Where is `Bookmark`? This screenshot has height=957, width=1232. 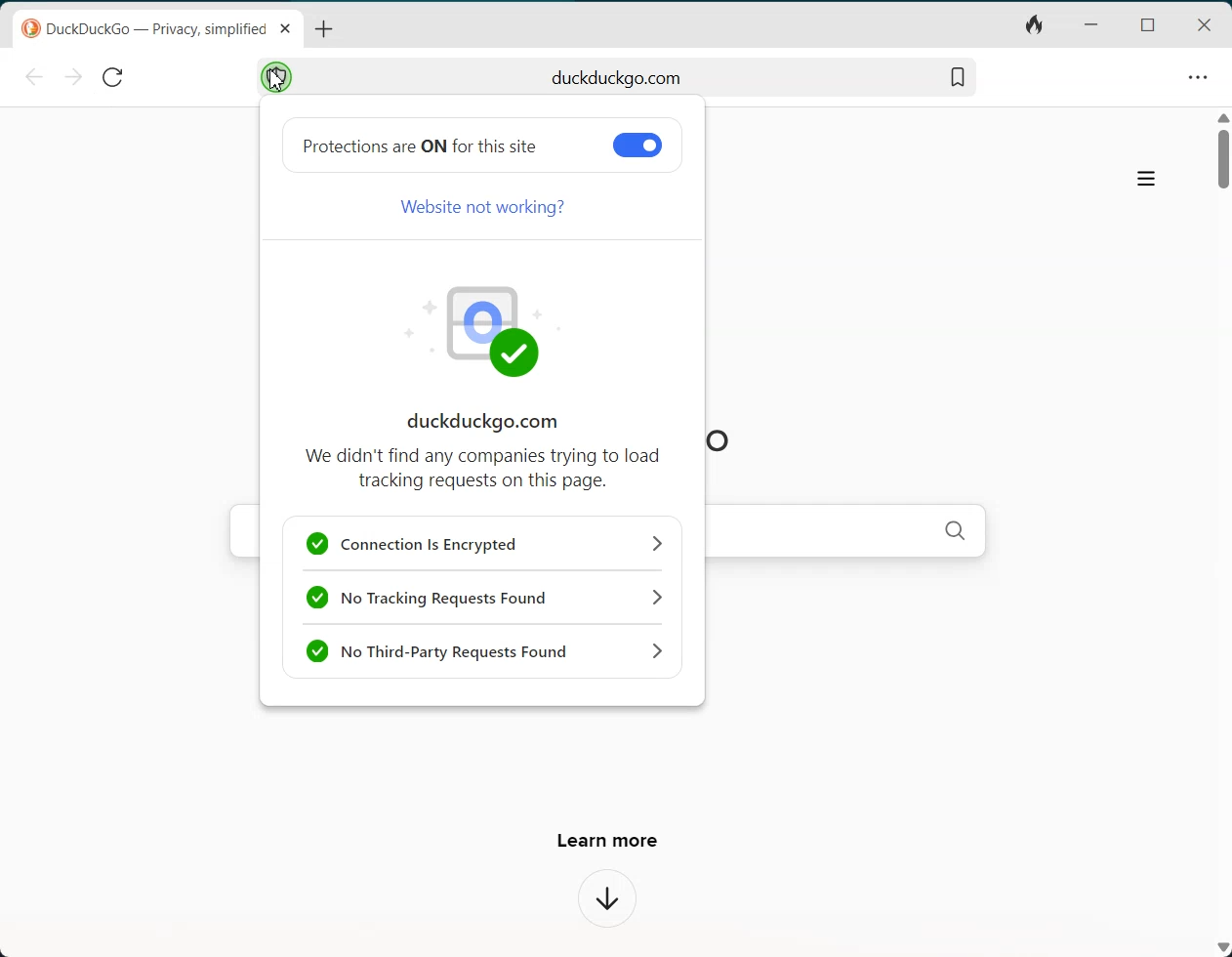
Bookmark is located at coordinates (957, 75).